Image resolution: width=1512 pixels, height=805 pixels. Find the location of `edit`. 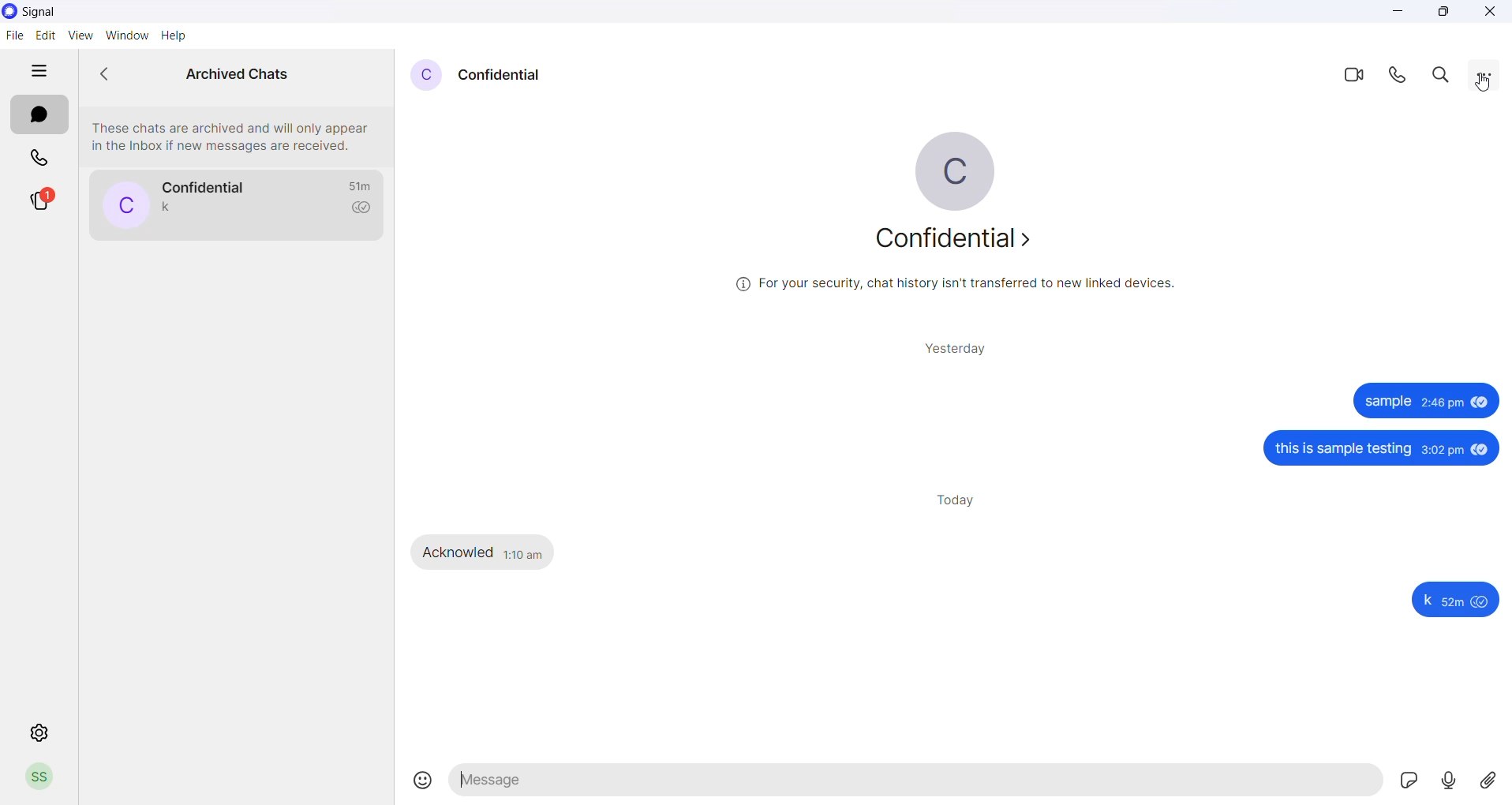

edit is located at coordinates (43, 35).